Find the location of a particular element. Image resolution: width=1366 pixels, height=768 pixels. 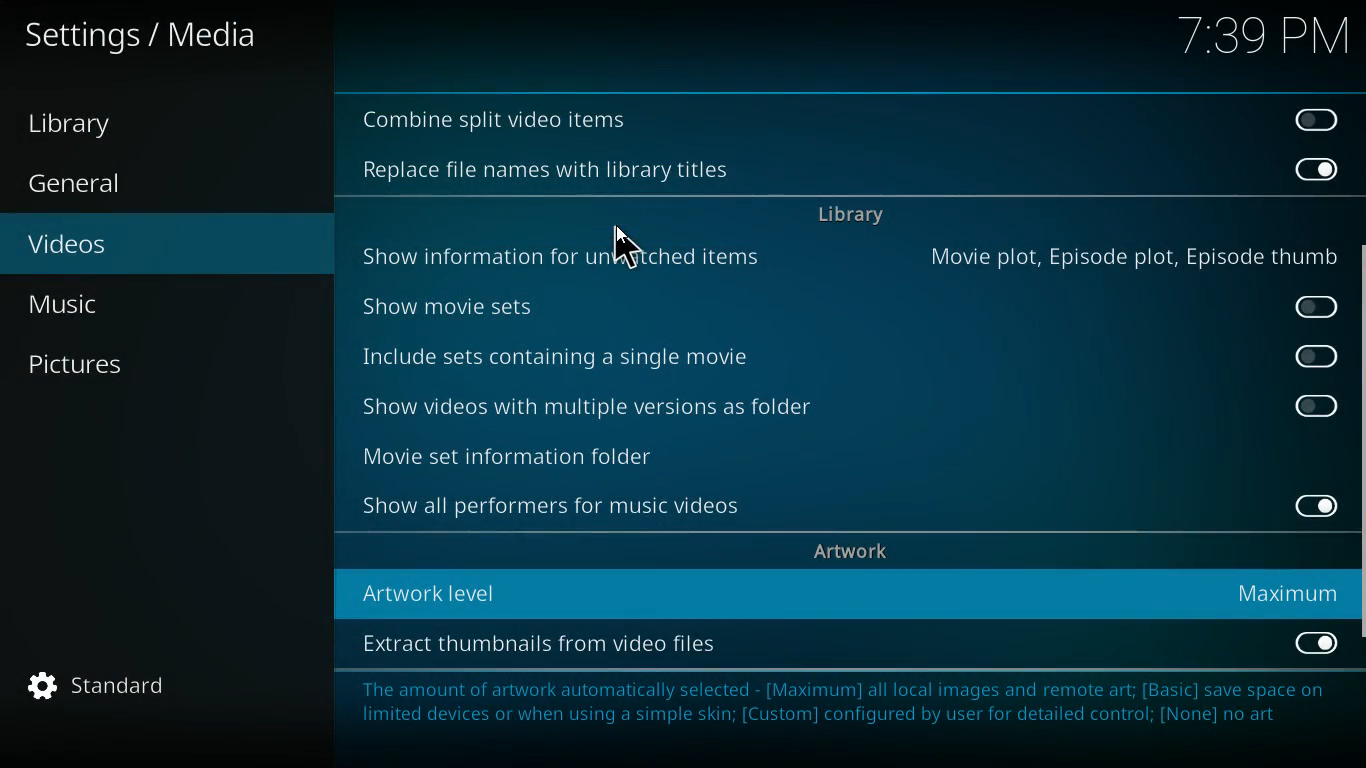

off is located at coordinates (1313, 118).